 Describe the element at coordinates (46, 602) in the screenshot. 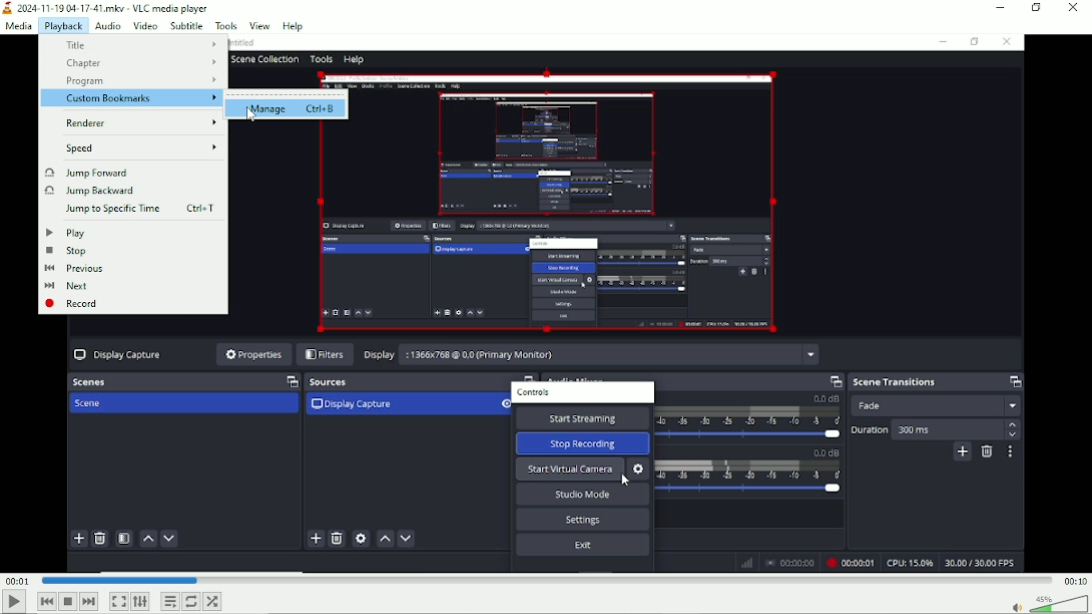

I see `Previous` at that location.